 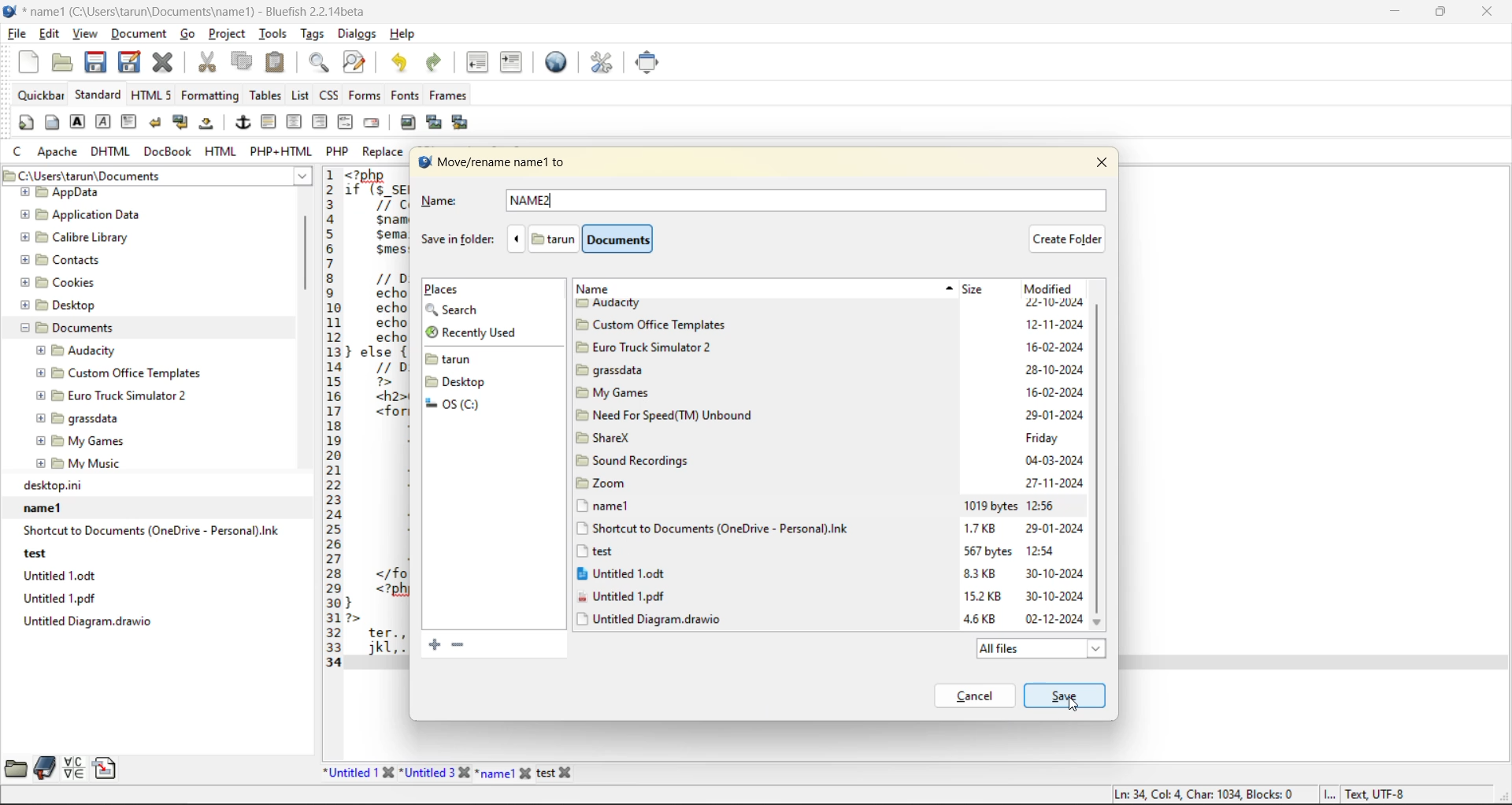 What do you see at coordinates (302, 96) in the screenshot?
I see `list` at bounding box center [302, 96].